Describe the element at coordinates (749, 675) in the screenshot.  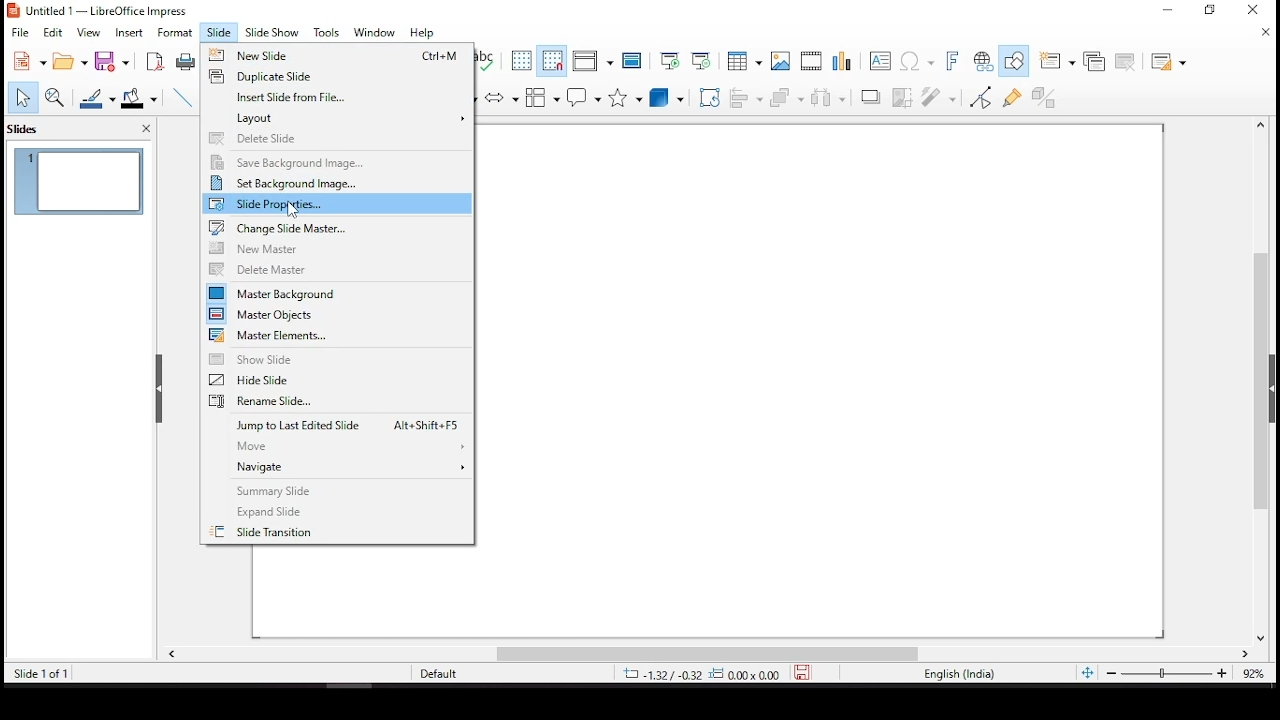
I see `0.00x0.00` at that location.